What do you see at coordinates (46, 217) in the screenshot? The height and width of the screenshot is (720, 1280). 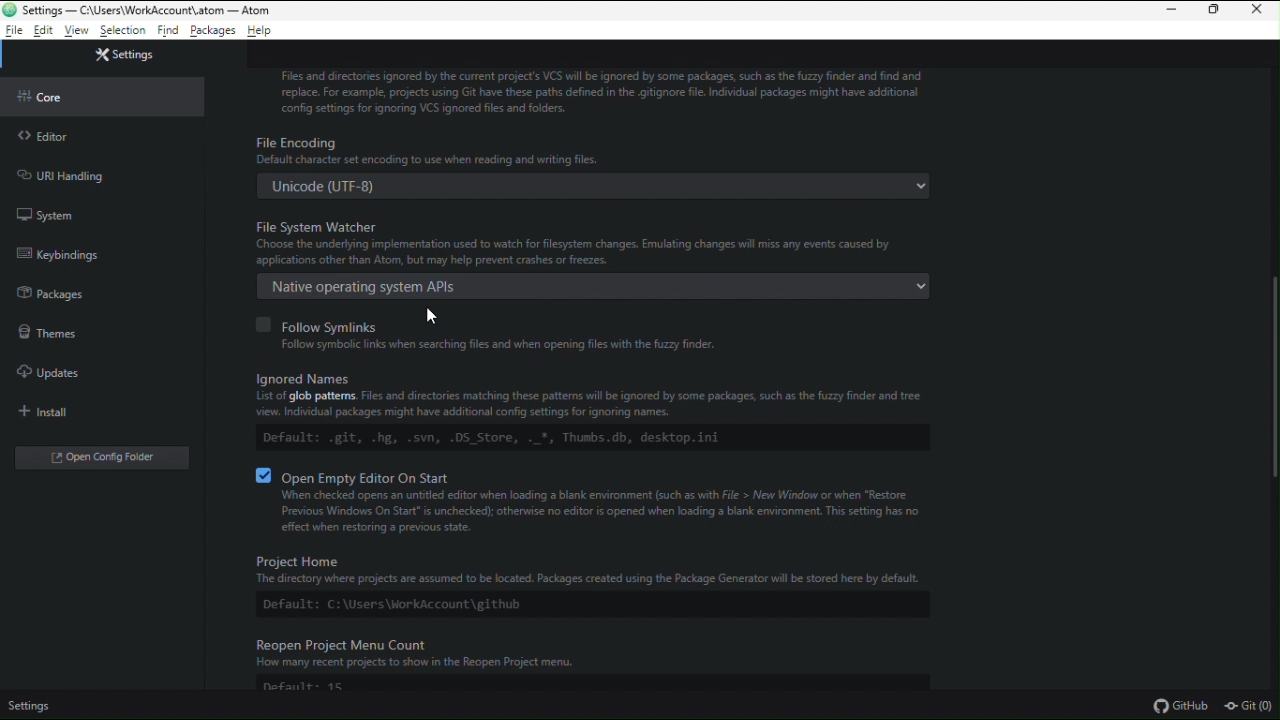 I see `Systems` at bounding box center [46, 217].